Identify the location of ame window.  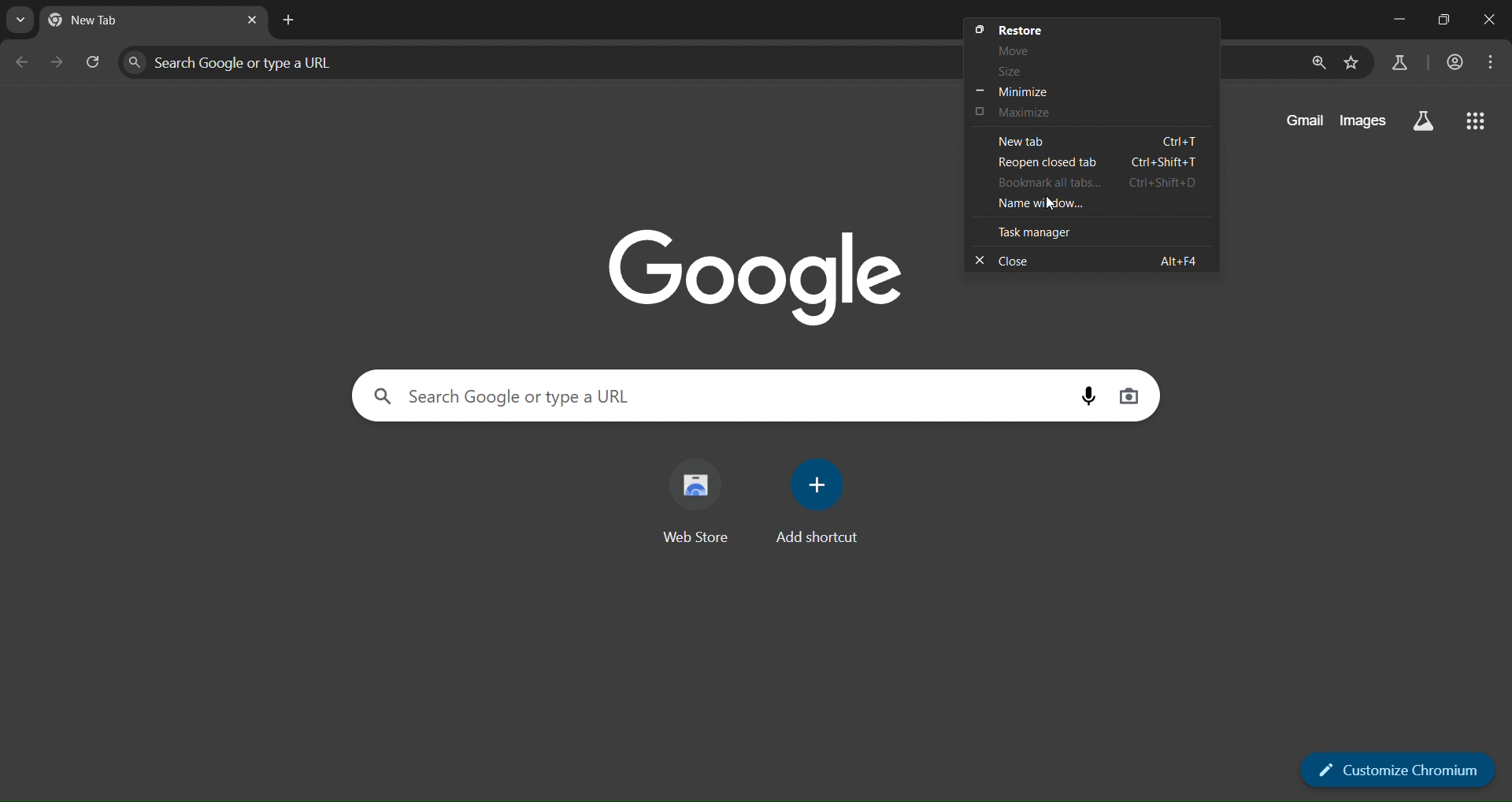
(1060, 203).